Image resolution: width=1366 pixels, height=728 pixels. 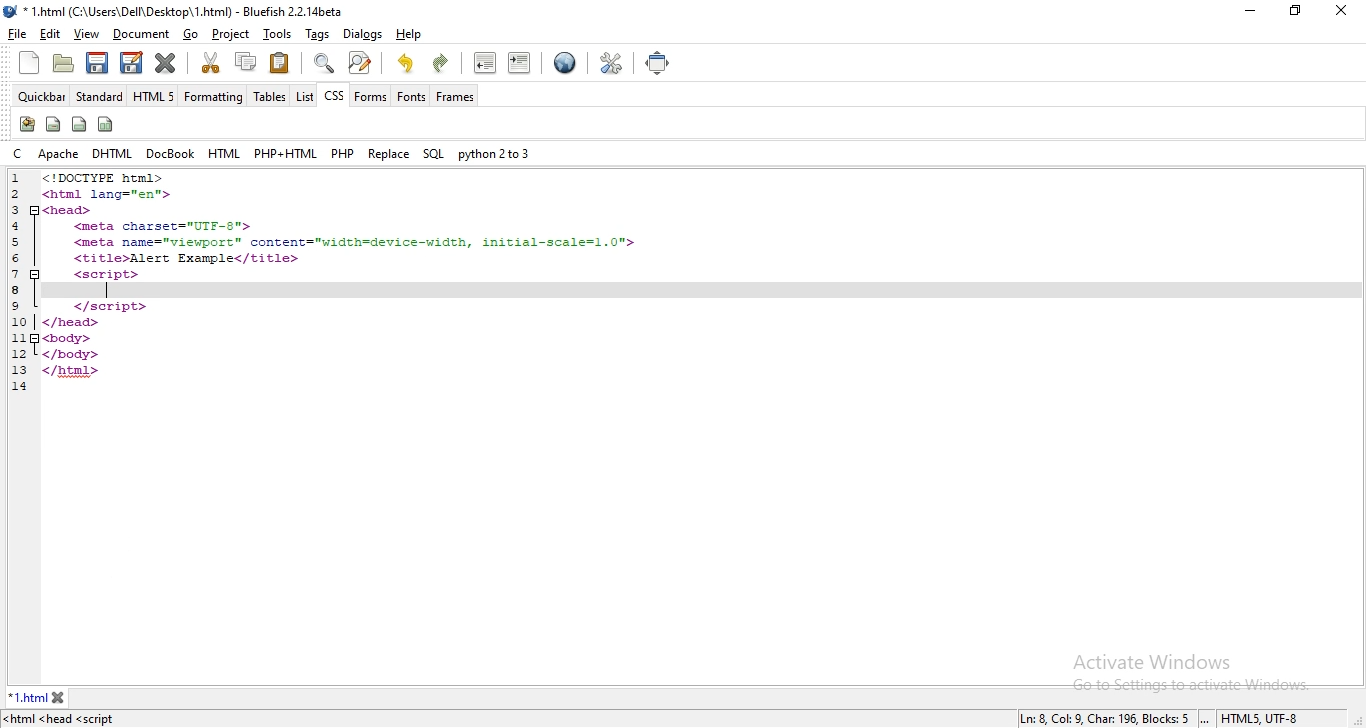 I want to click on 1.html, so click(x=27, y=697).